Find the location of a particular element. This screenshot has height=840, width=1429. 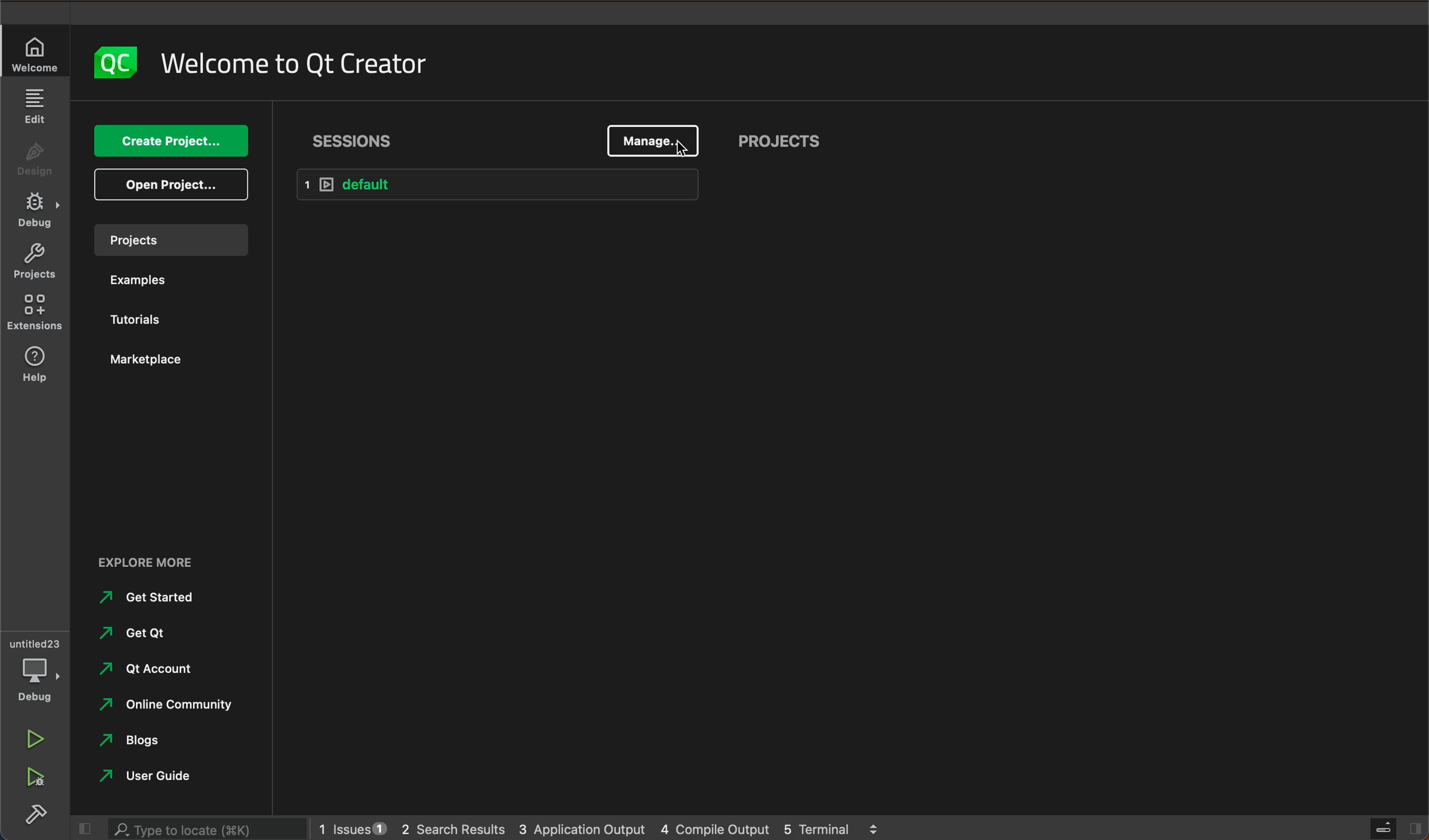

manage is located at coordinates (654, 139).